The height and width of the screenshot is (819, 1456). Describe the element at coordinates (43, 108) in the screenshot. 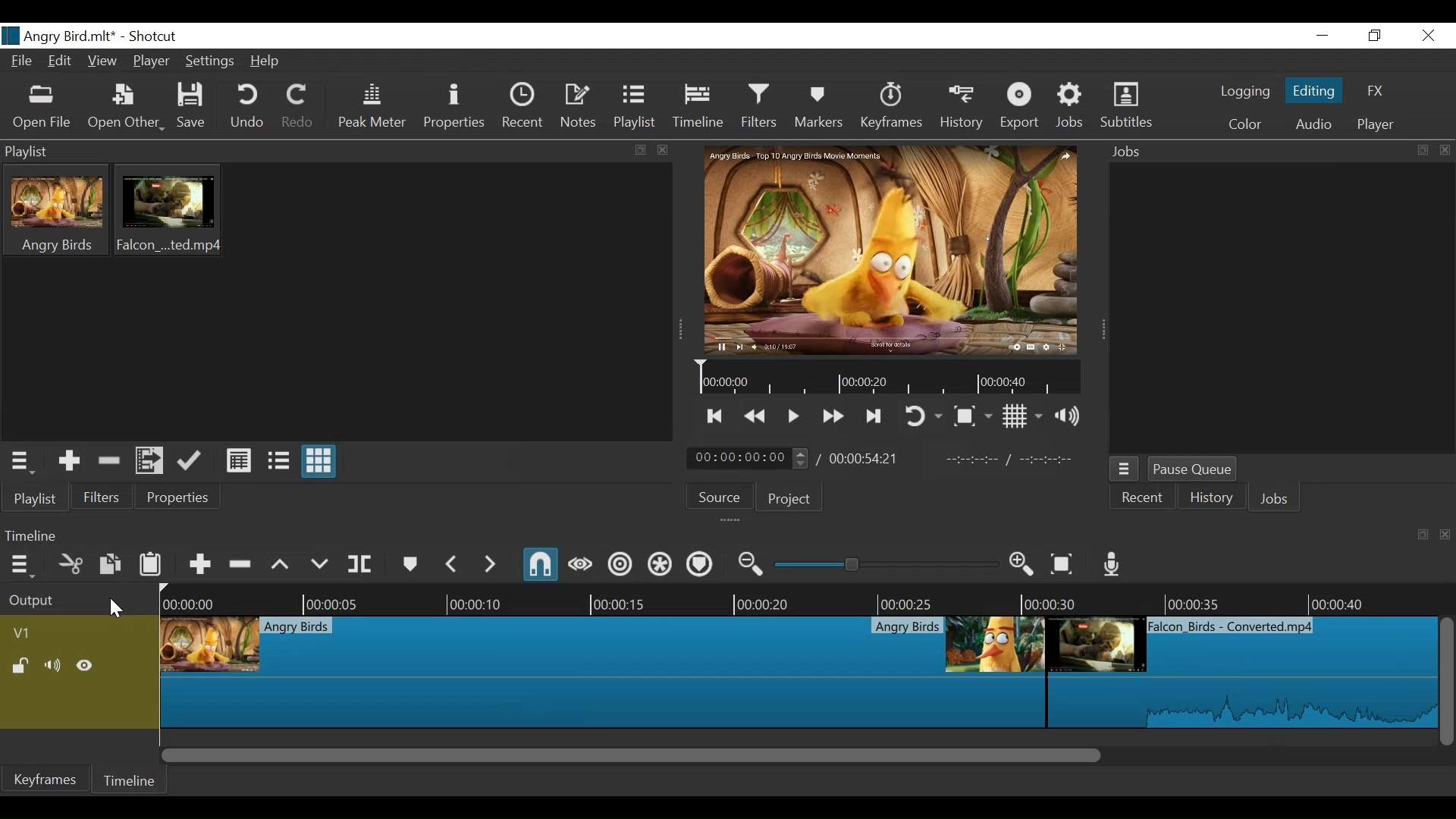

I see `Open File` at that location.